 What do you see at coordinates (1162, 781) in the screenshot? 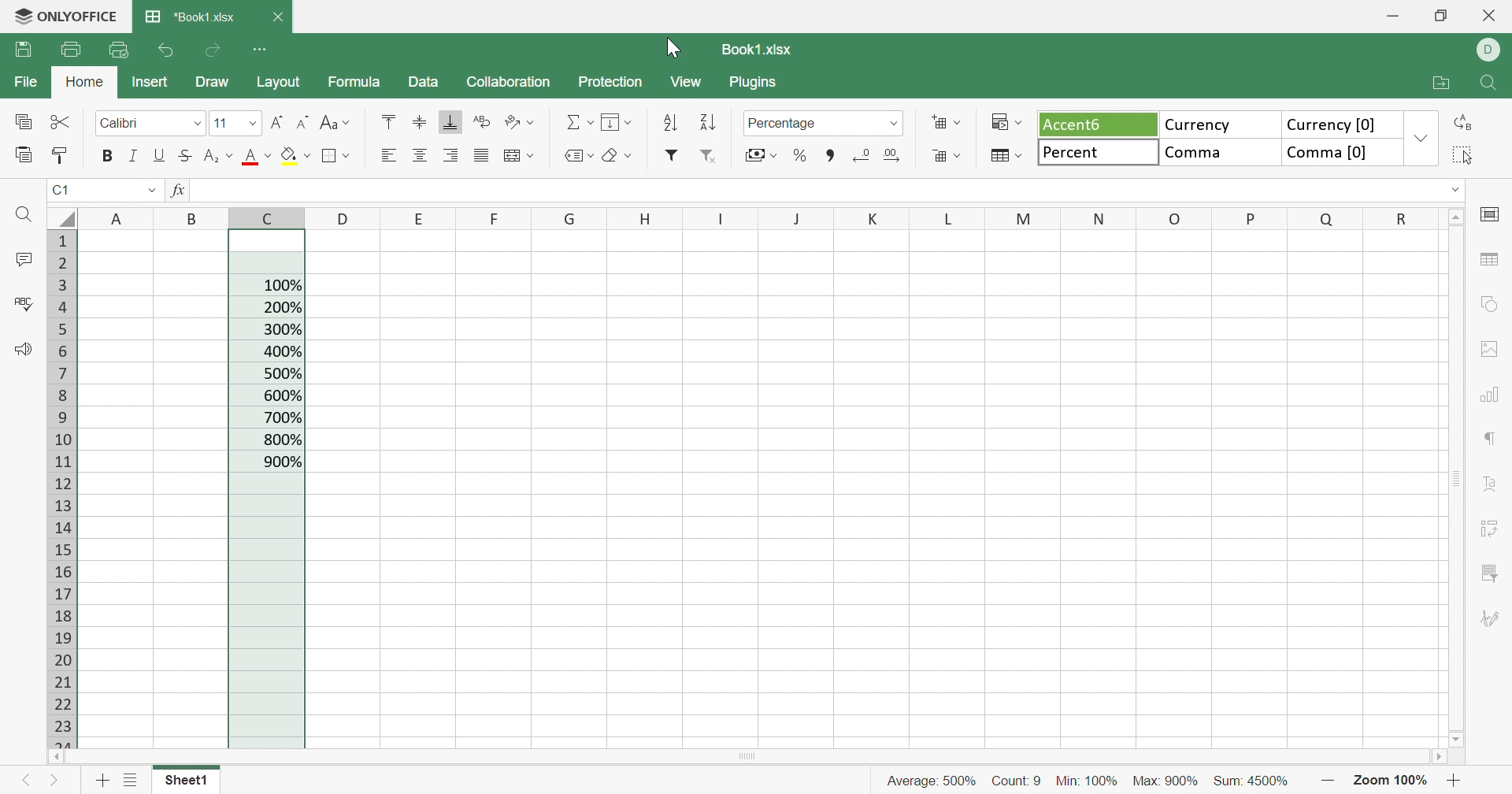
I see `Max: 900%` at bounding box center [1162, 781].